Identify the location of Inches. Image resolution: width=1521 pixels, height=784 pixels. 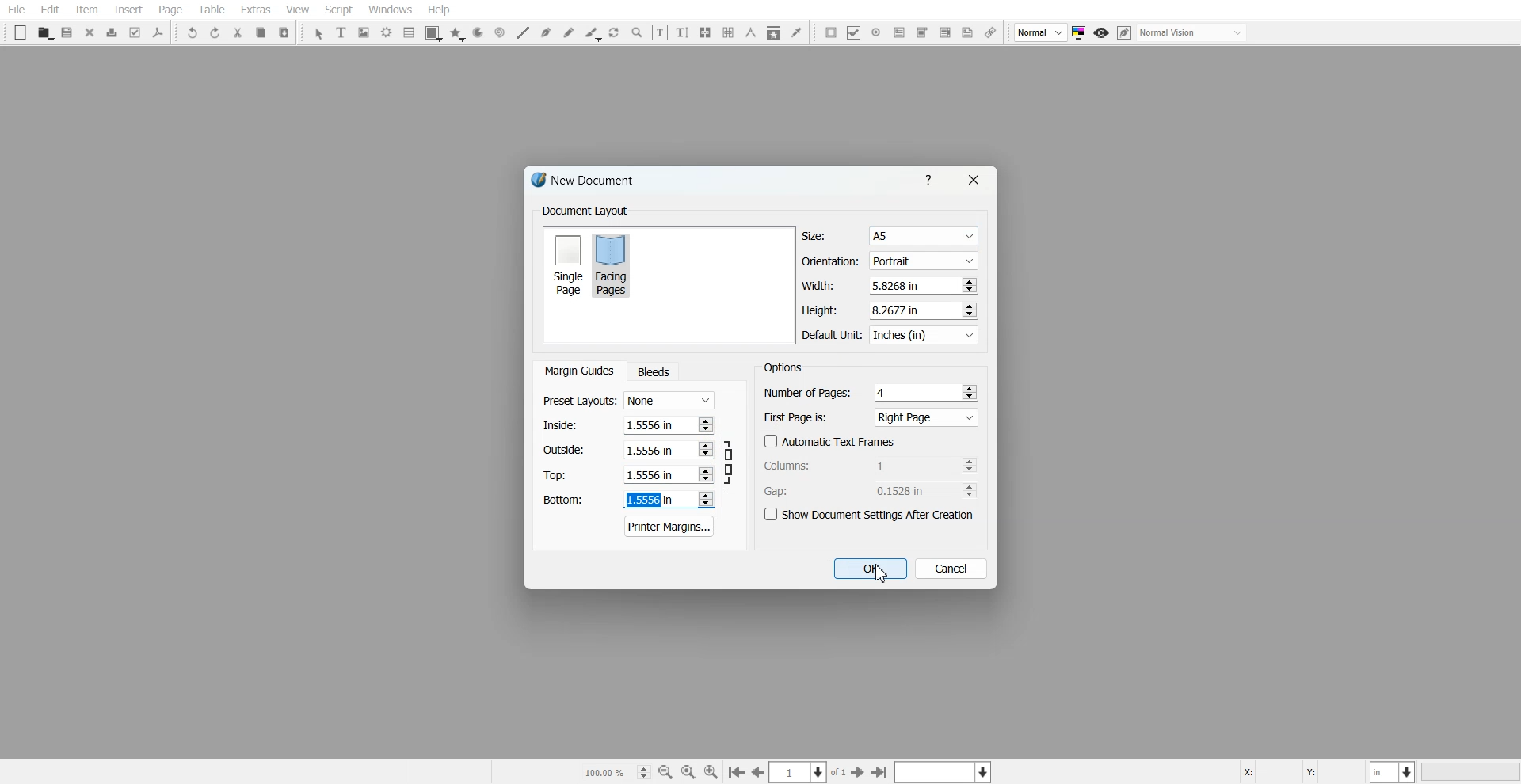
(924, 336).